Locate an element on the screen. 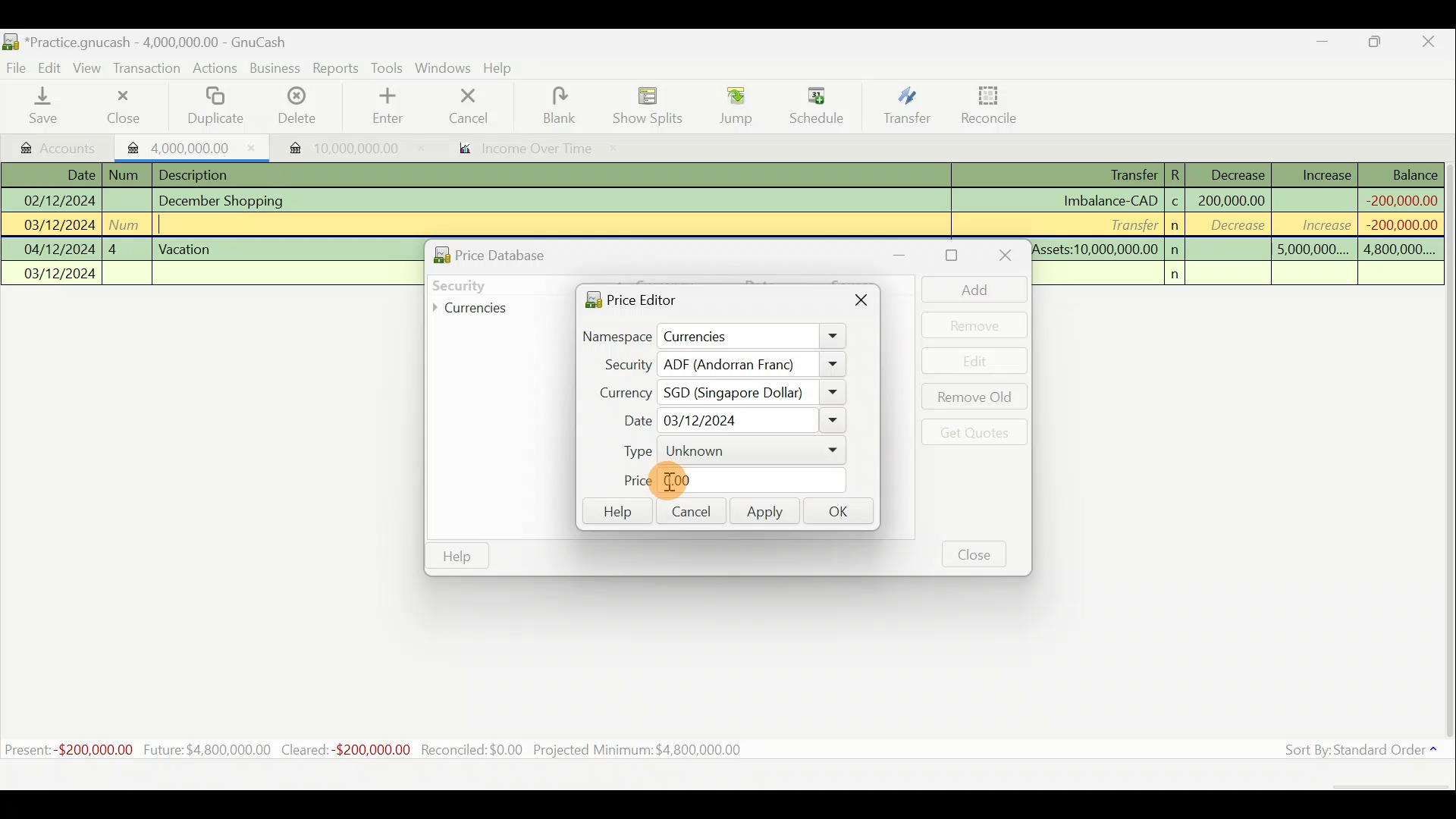 This screenshot has width=1456, height=819. Close is located at coordinates (1433, 42).